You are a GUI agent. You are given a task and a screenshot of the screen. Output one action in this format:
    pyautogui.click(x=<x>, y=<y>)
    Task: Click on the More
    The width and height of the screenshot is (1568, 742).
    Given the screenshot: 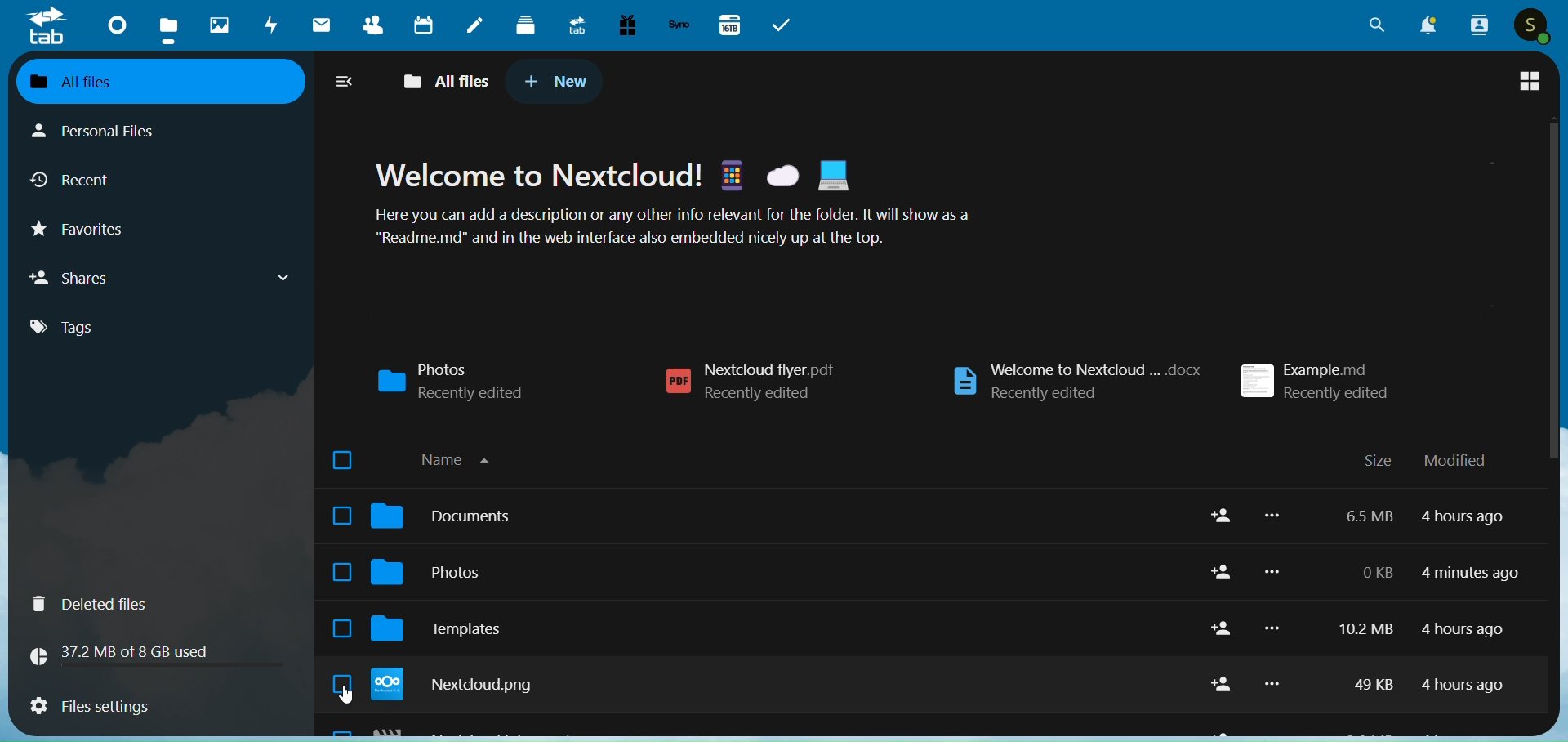 What is the action you would take?
    pyautogui.click(x=1272, y=683)
    